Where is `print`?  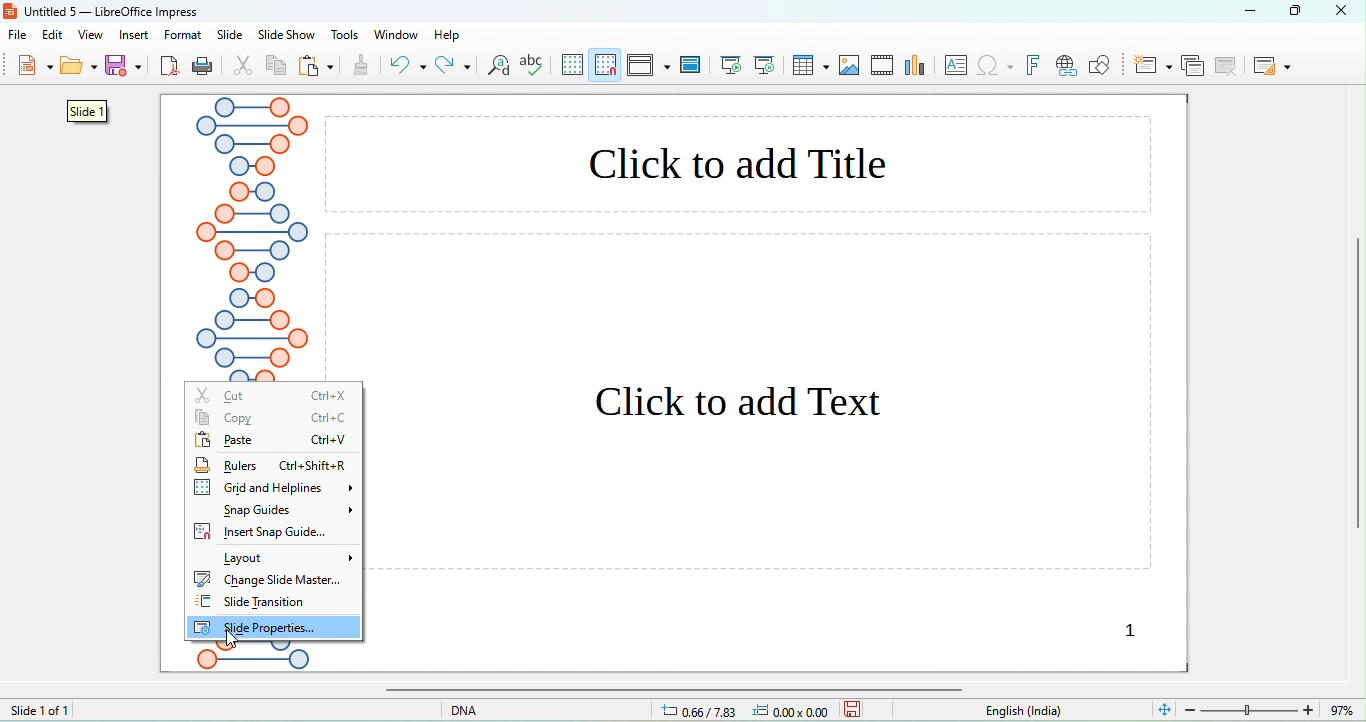
print is located at coordinates (202, 67).